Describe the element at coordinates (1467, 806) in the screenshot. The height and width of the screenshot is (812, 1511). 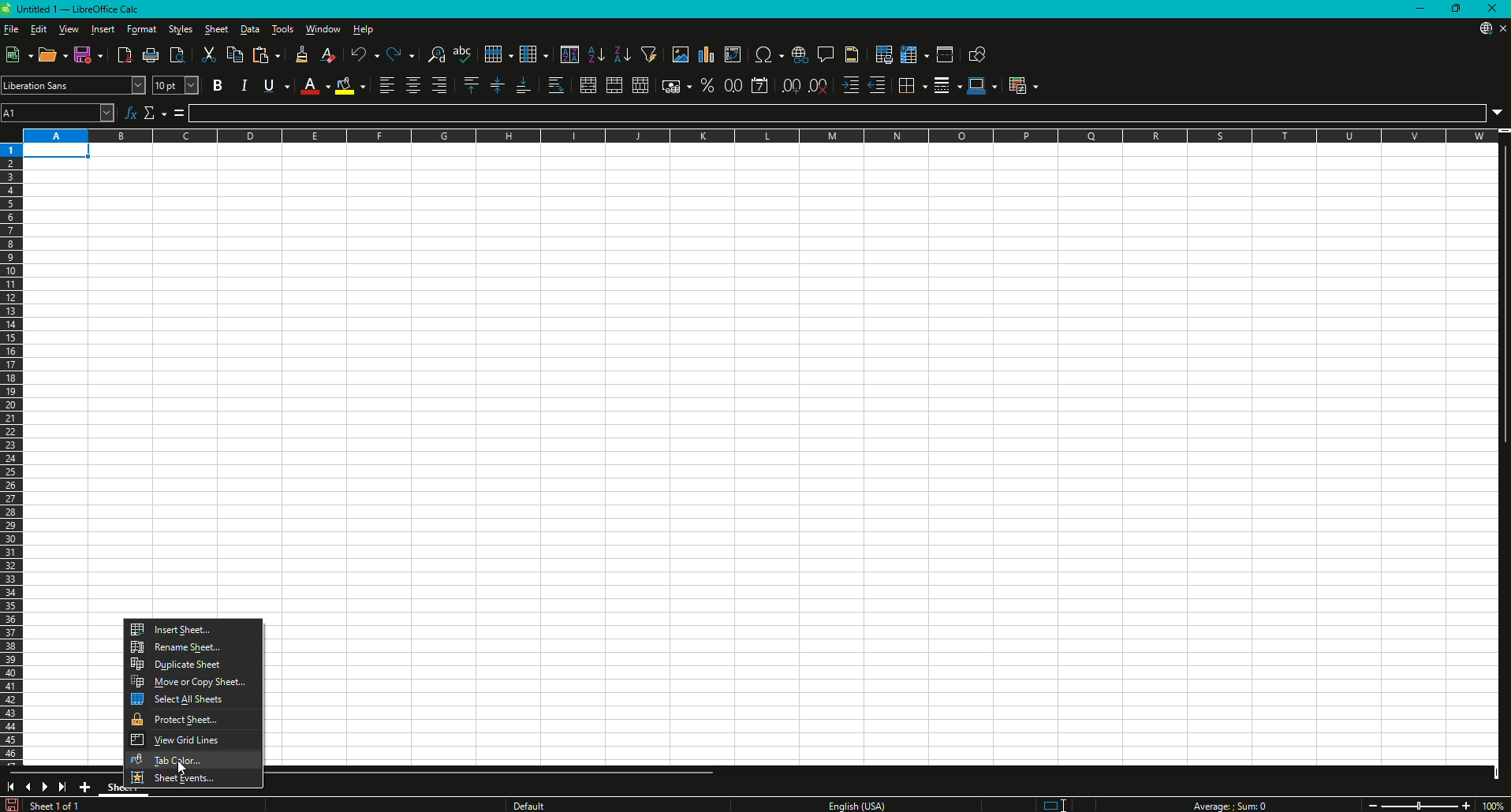
I see `Zoom in` at that location.